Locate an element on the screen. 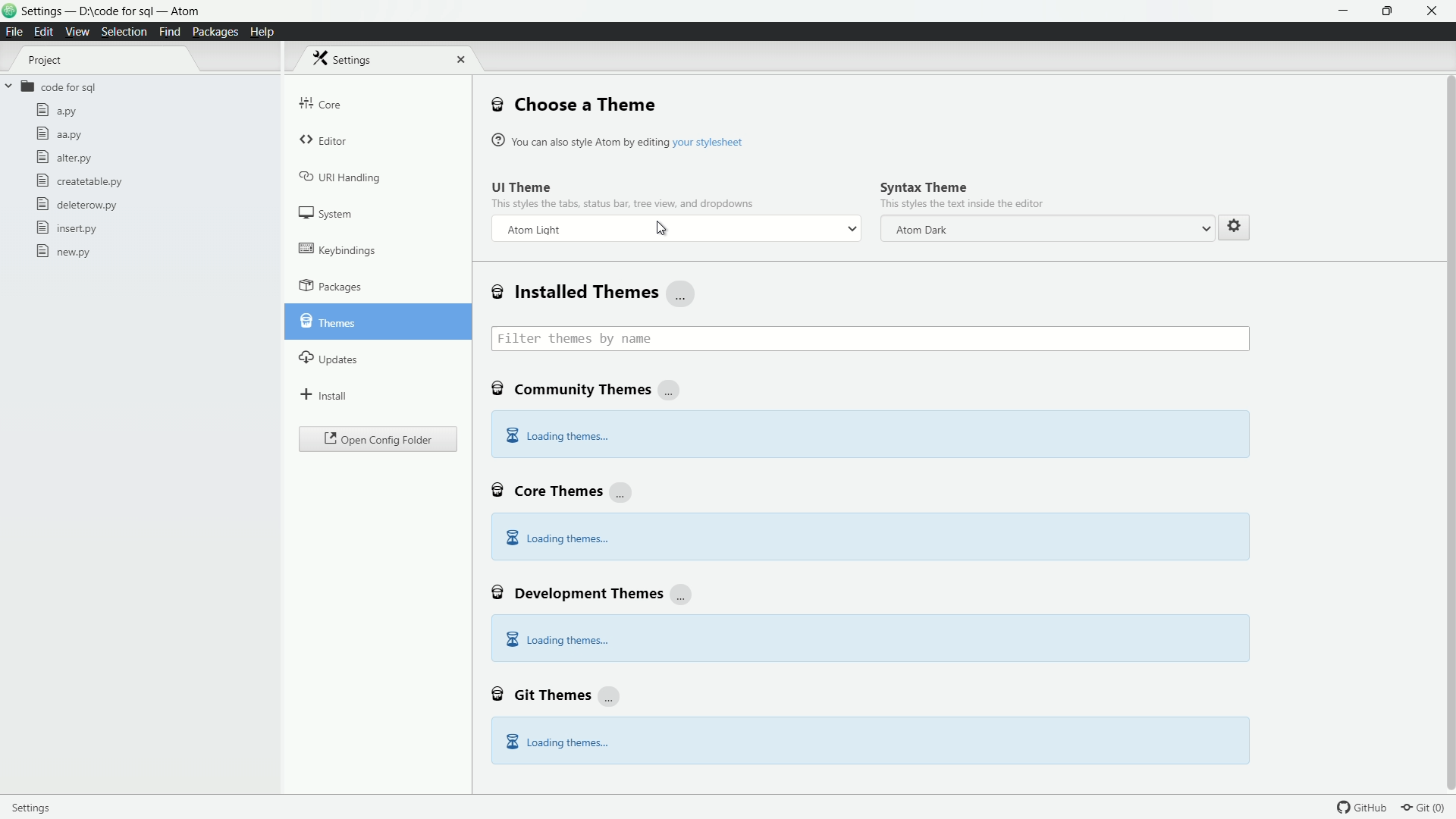  install is located at coordinates (325, 394).